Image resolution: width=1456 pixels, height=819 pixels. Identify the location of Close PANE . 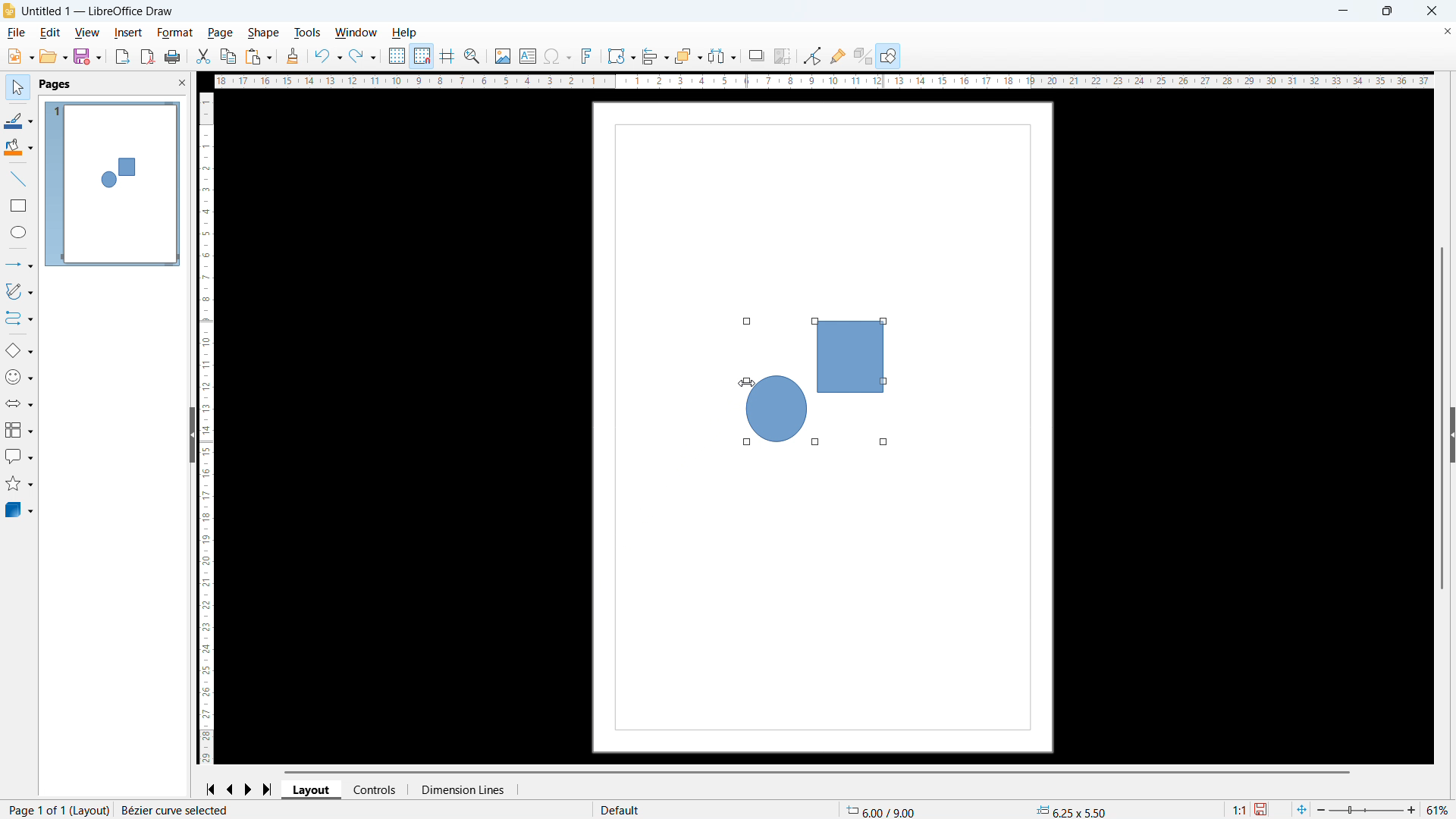
(182, 82).